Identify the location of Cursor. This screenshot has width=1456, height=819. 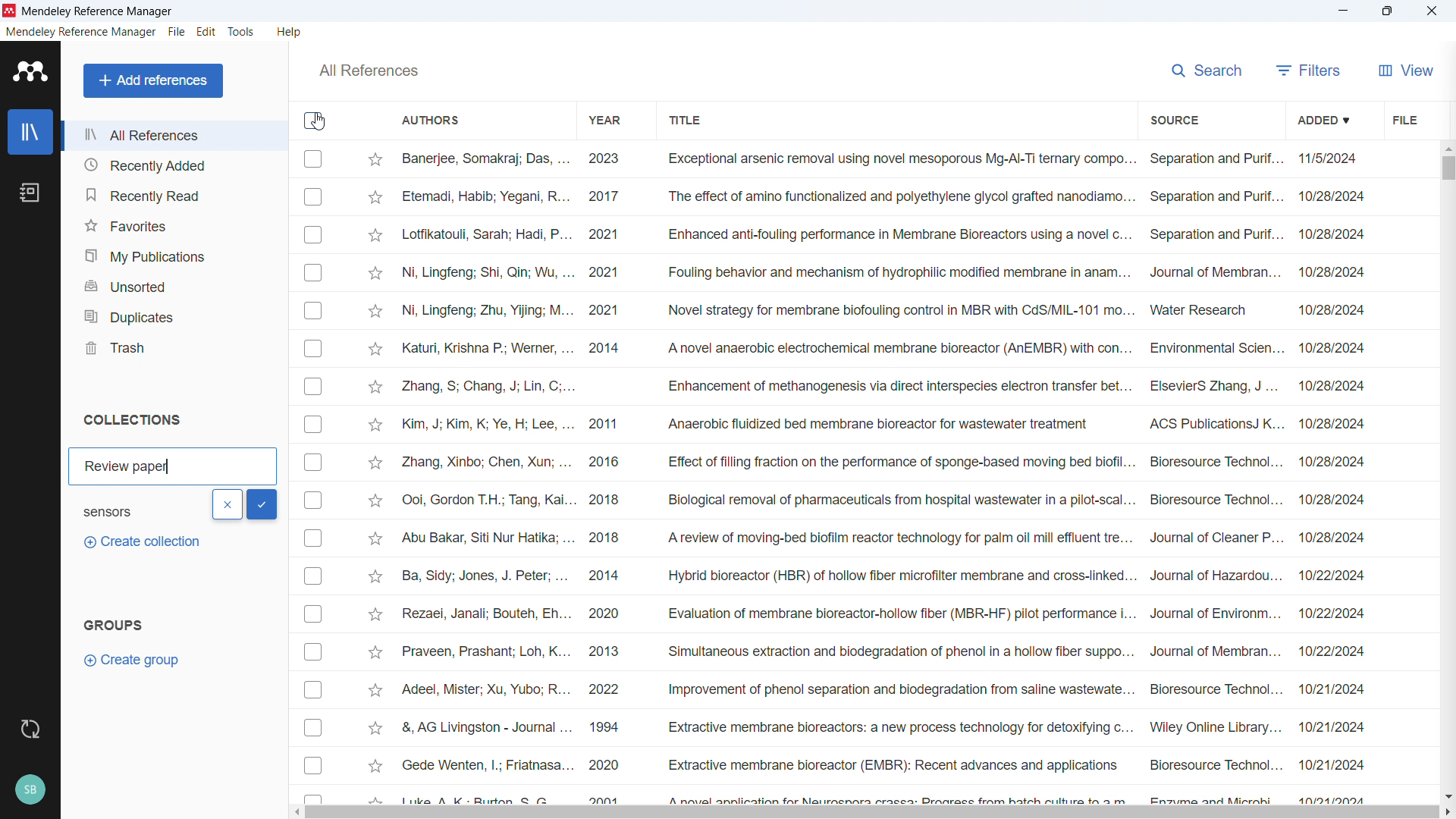
(318, 122).